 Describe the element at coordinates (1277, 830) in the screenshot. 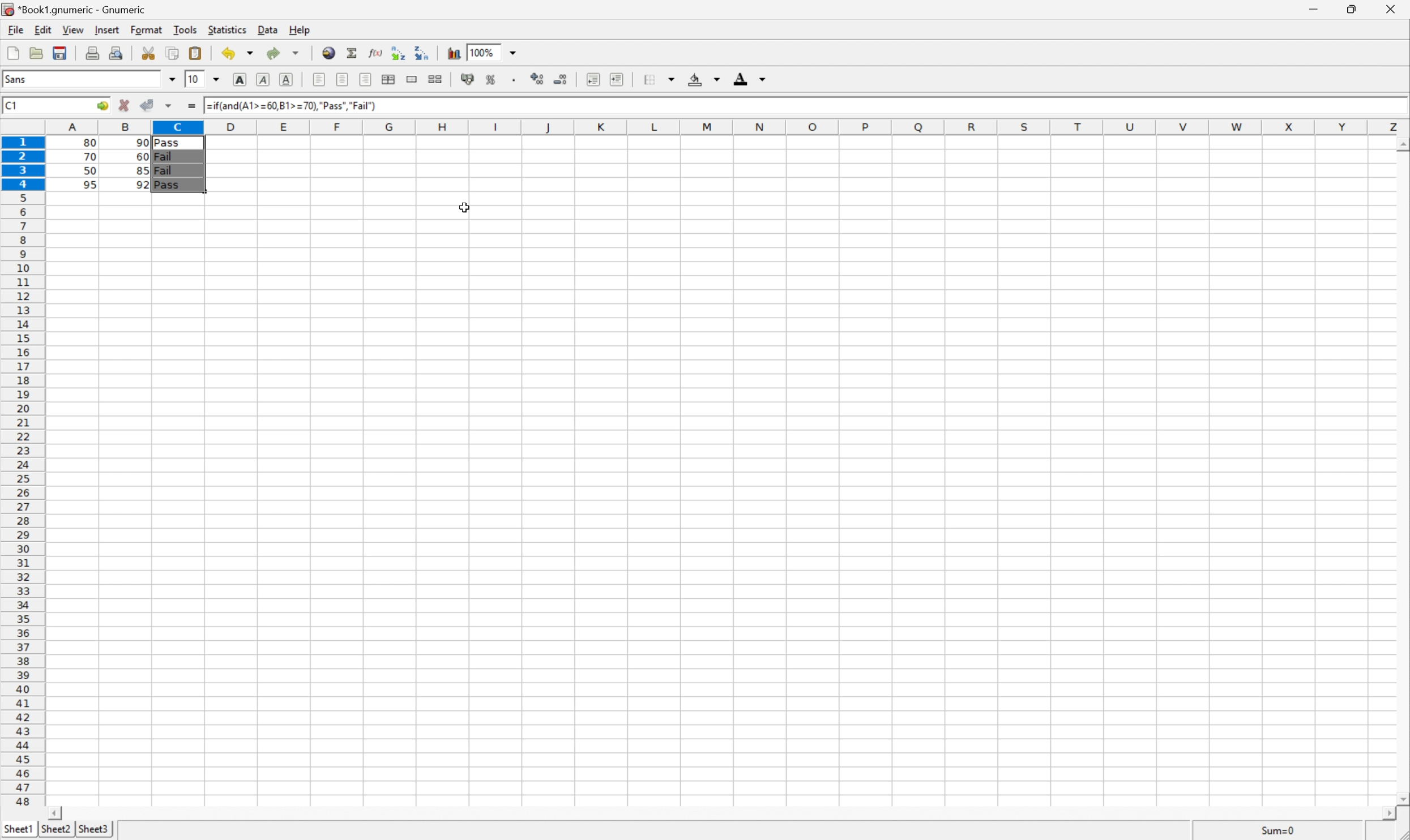

I see `Sum=80` at that location.